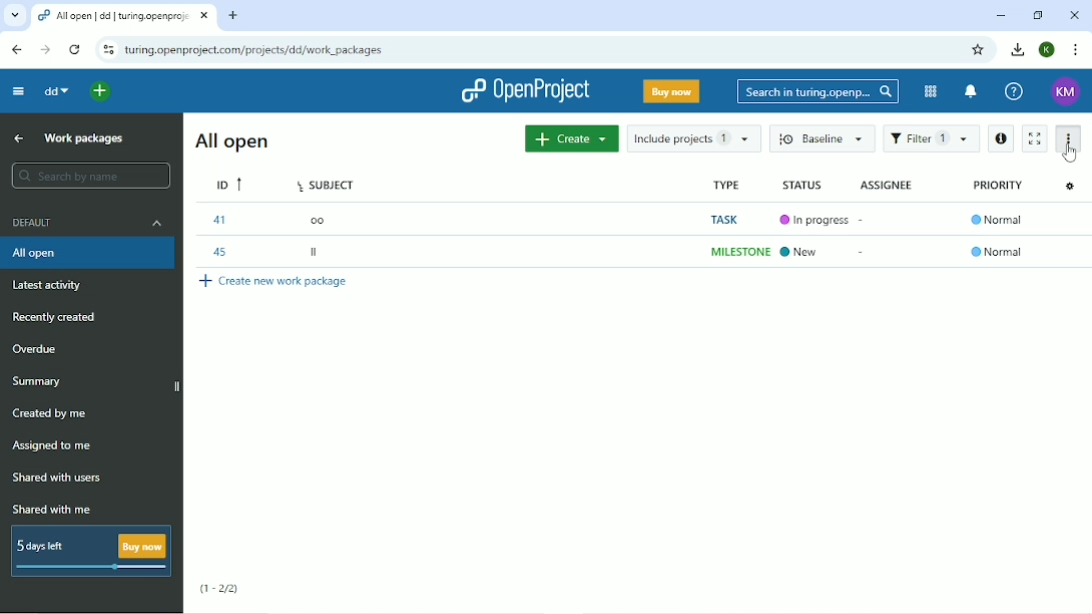 This screenshot has height=614, width=1092. Describe the element at coordinates (971, 91) in the screenshot. I see `To notification center` at that location.